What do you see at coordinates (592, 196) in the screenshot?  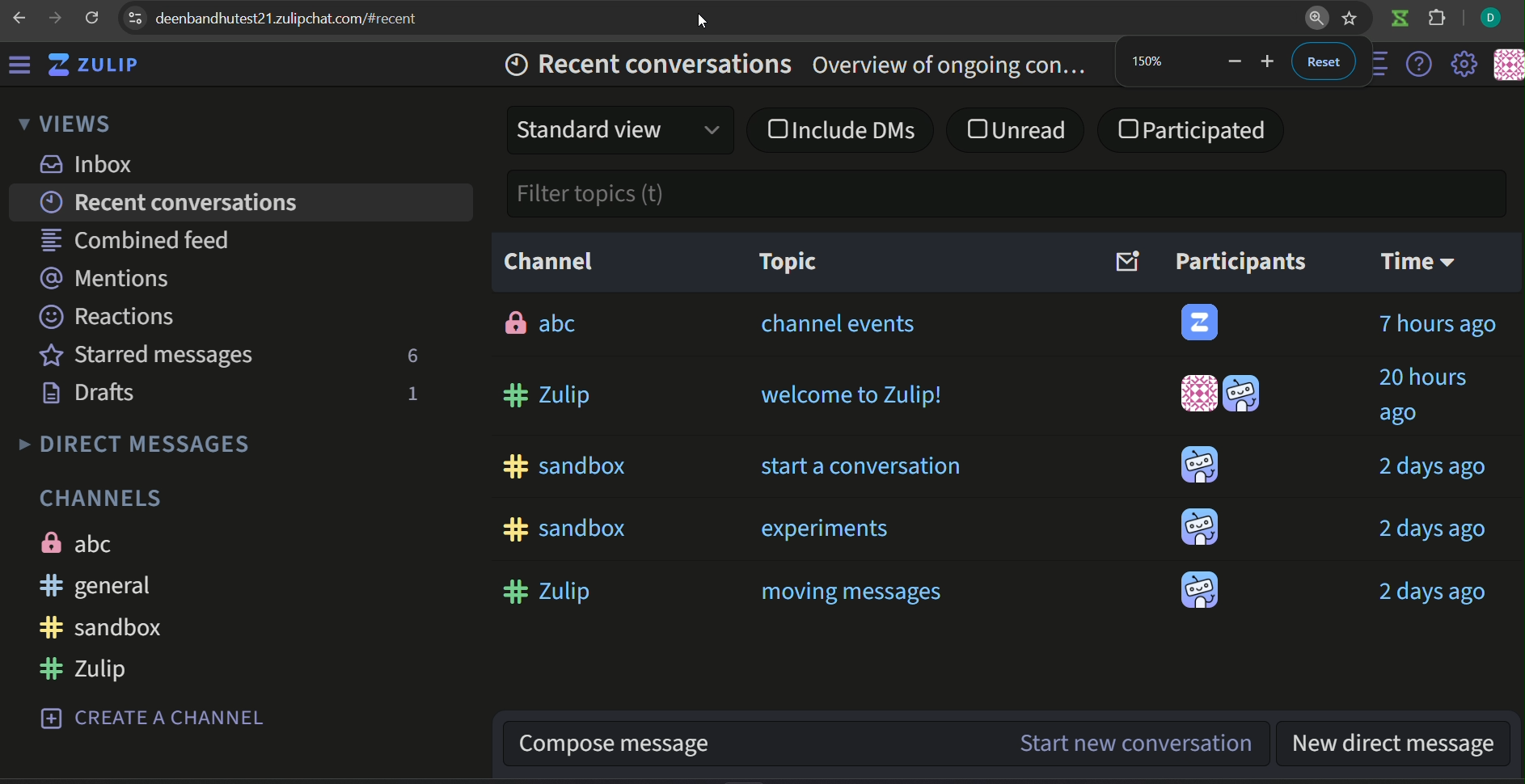 I see `filter` at bounding box center [592, 196].